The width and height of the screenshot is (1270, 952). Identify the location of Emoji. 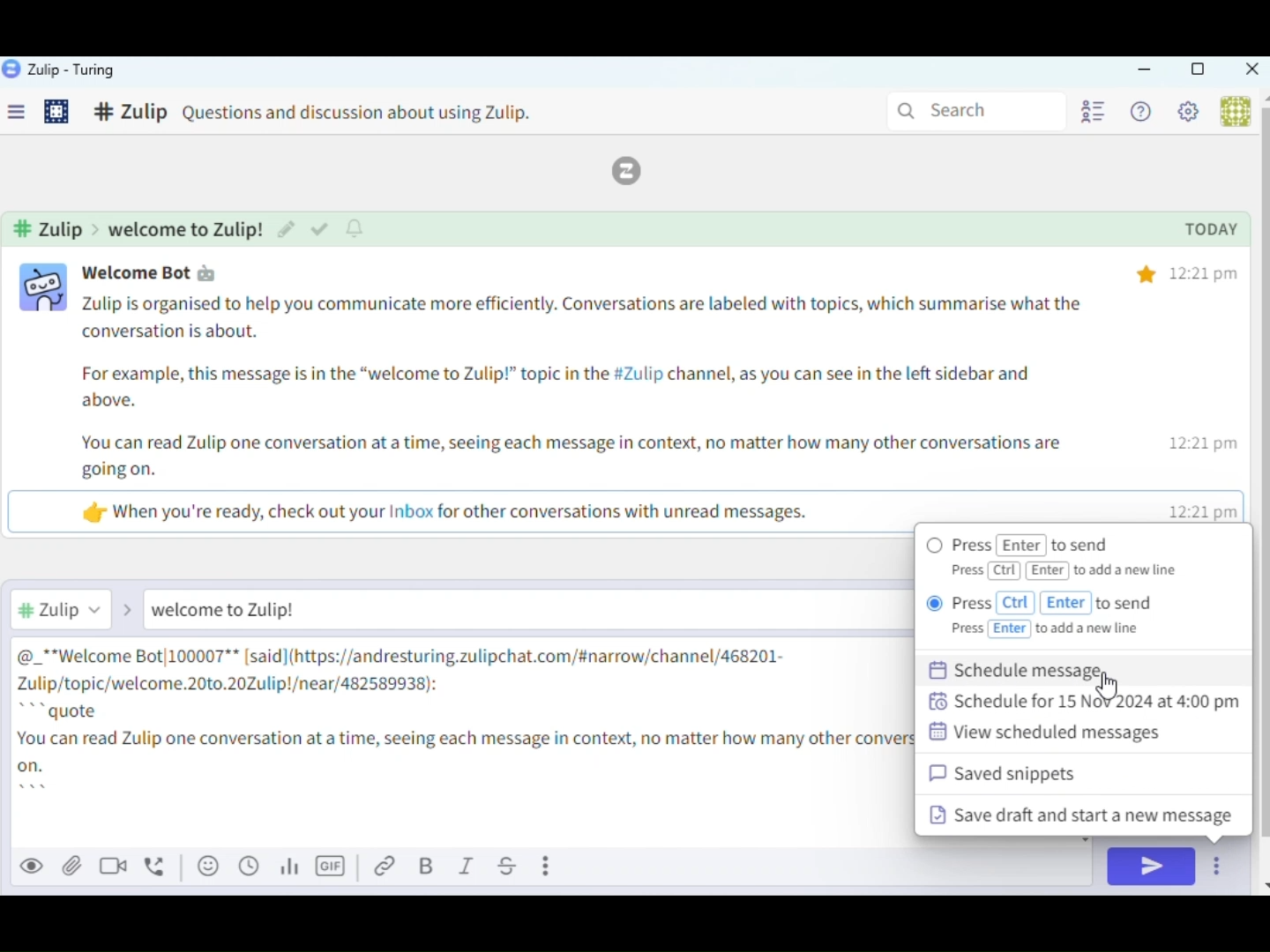
(207, 866).